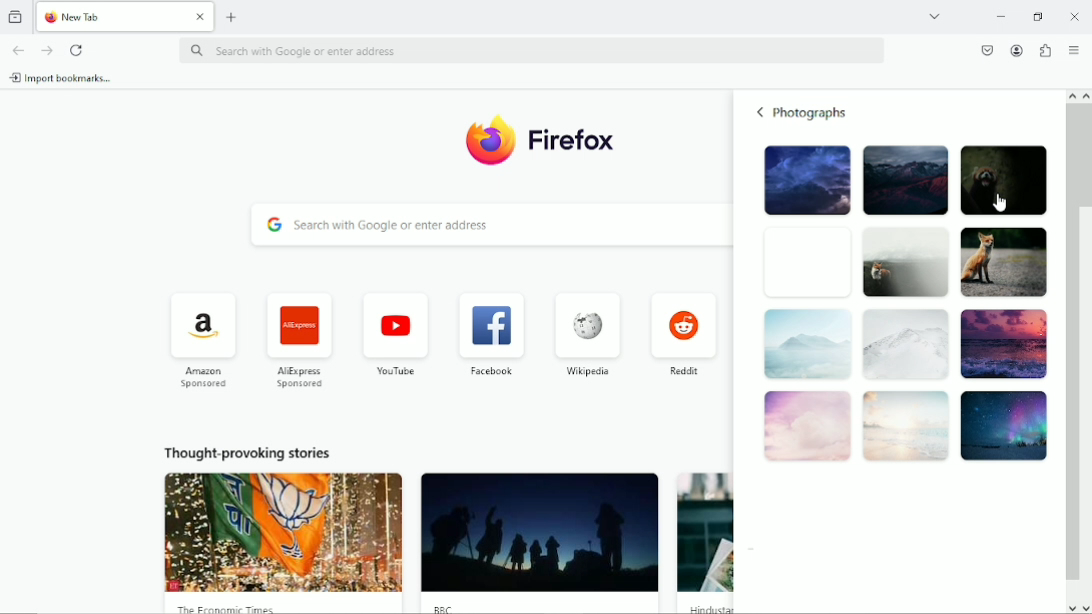  Describe the element at coordinates (585, 333) in the screenshot. I see `Wikipedia` at that location.